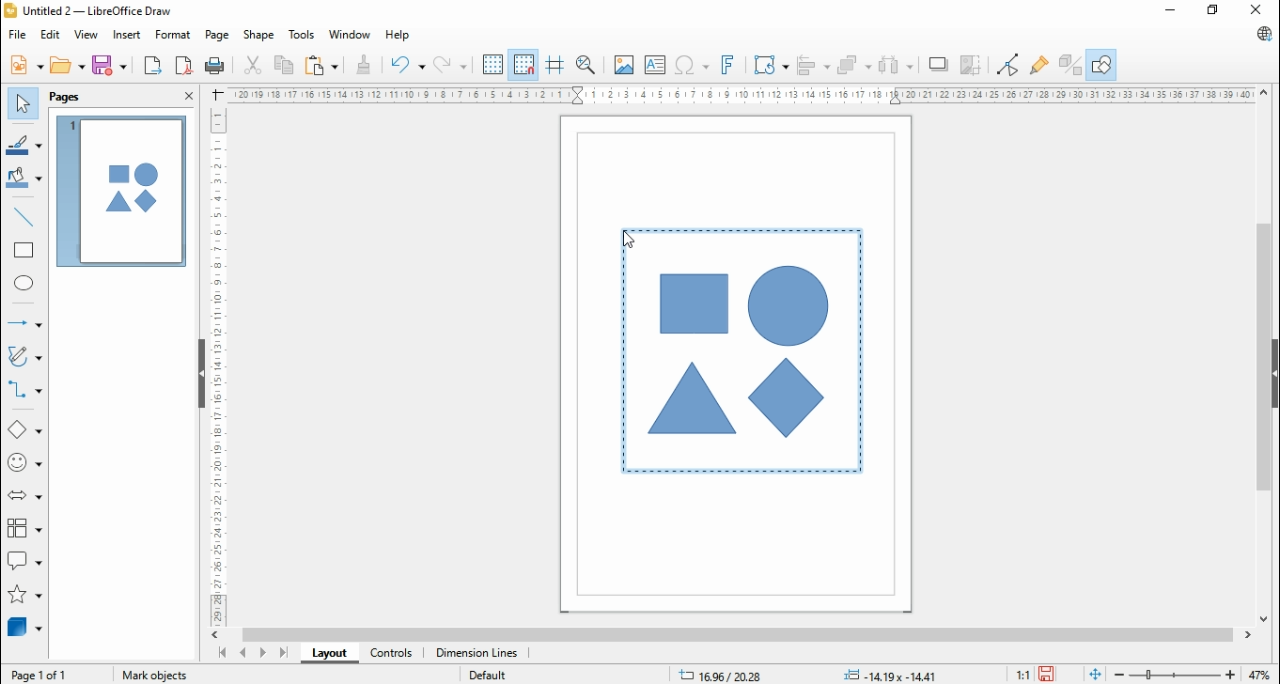 The height and width of the screenshot is (684, 1280). I want to click on undo, so click(408, 66).